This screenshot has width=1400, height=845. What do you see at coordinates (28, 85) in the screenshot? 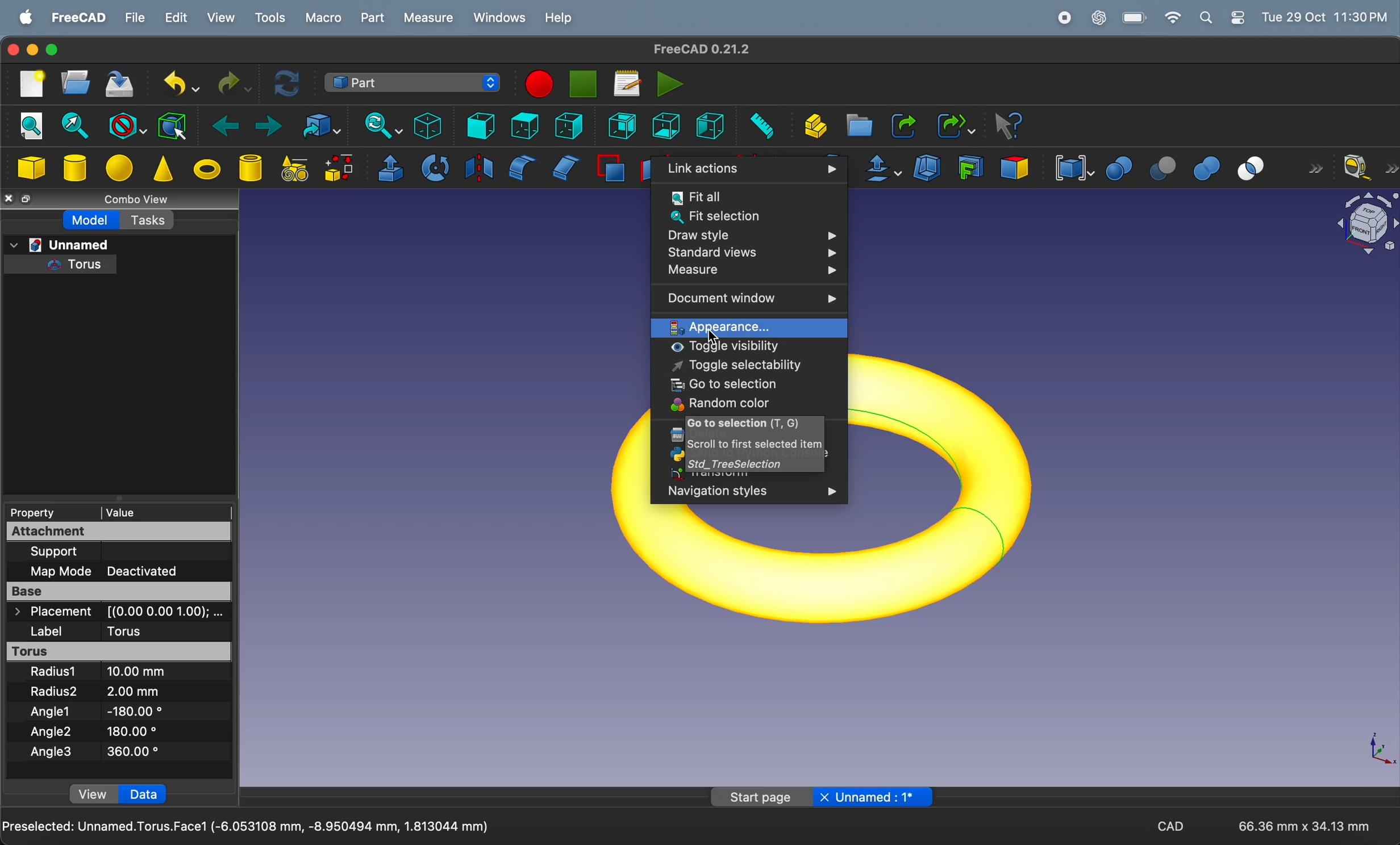
I see `new` at bounding box center [28, 85].